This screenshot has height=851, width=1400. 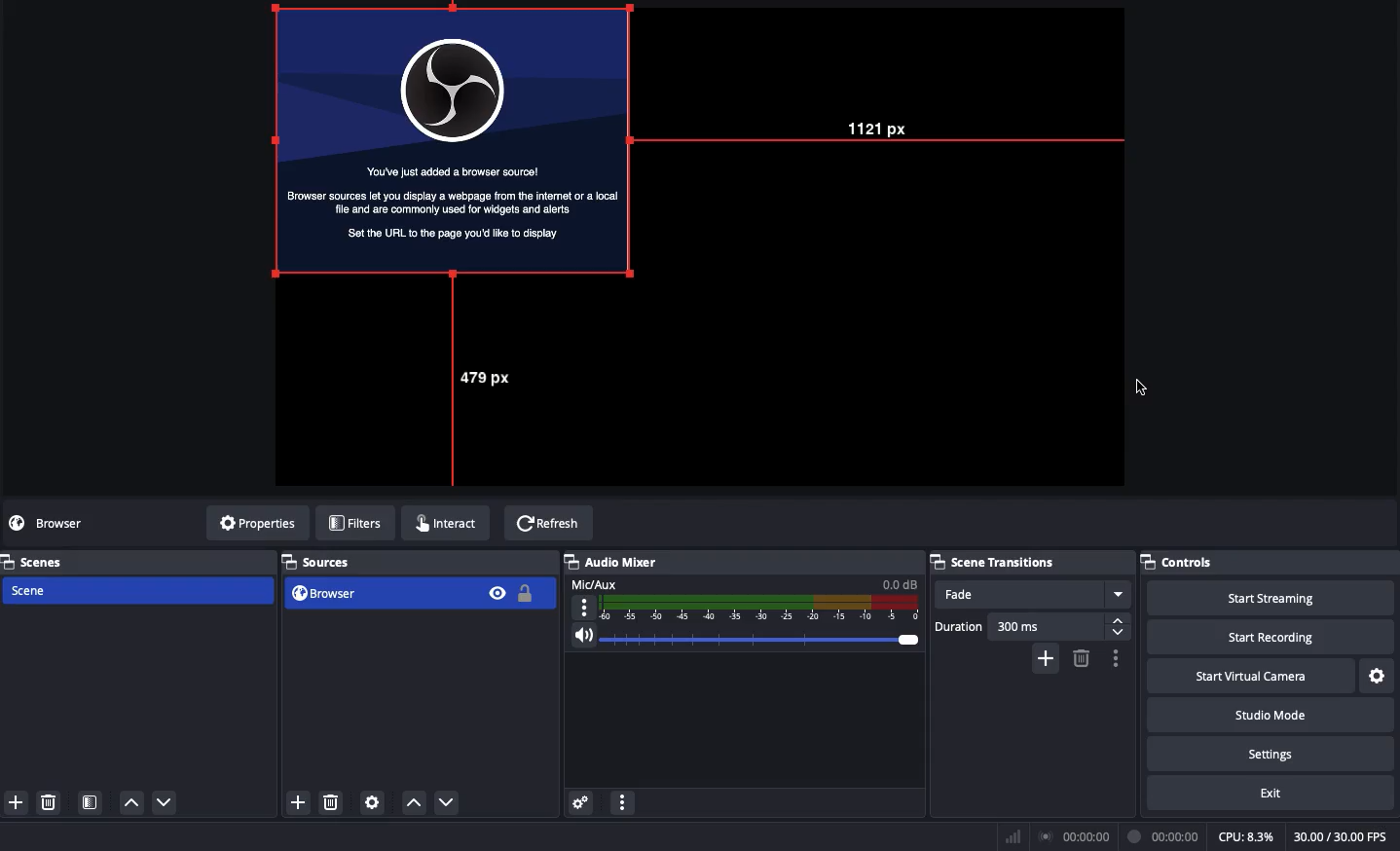 I want to click on delete, so click(x=53, y=804).